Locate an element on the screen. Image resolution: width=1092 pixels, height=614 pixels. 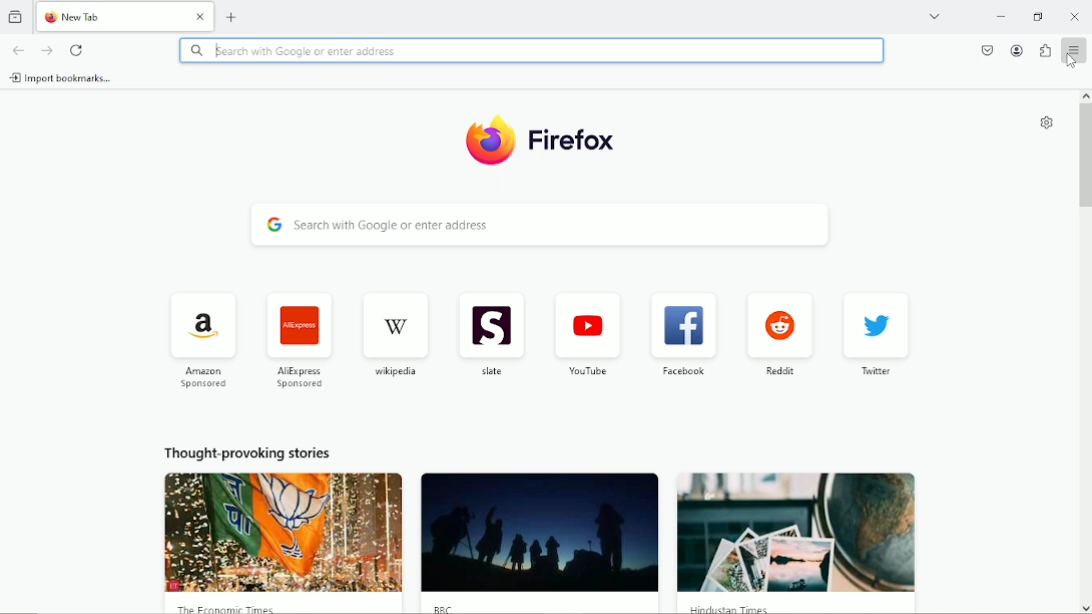
slate is located at coordinates (492, 338).